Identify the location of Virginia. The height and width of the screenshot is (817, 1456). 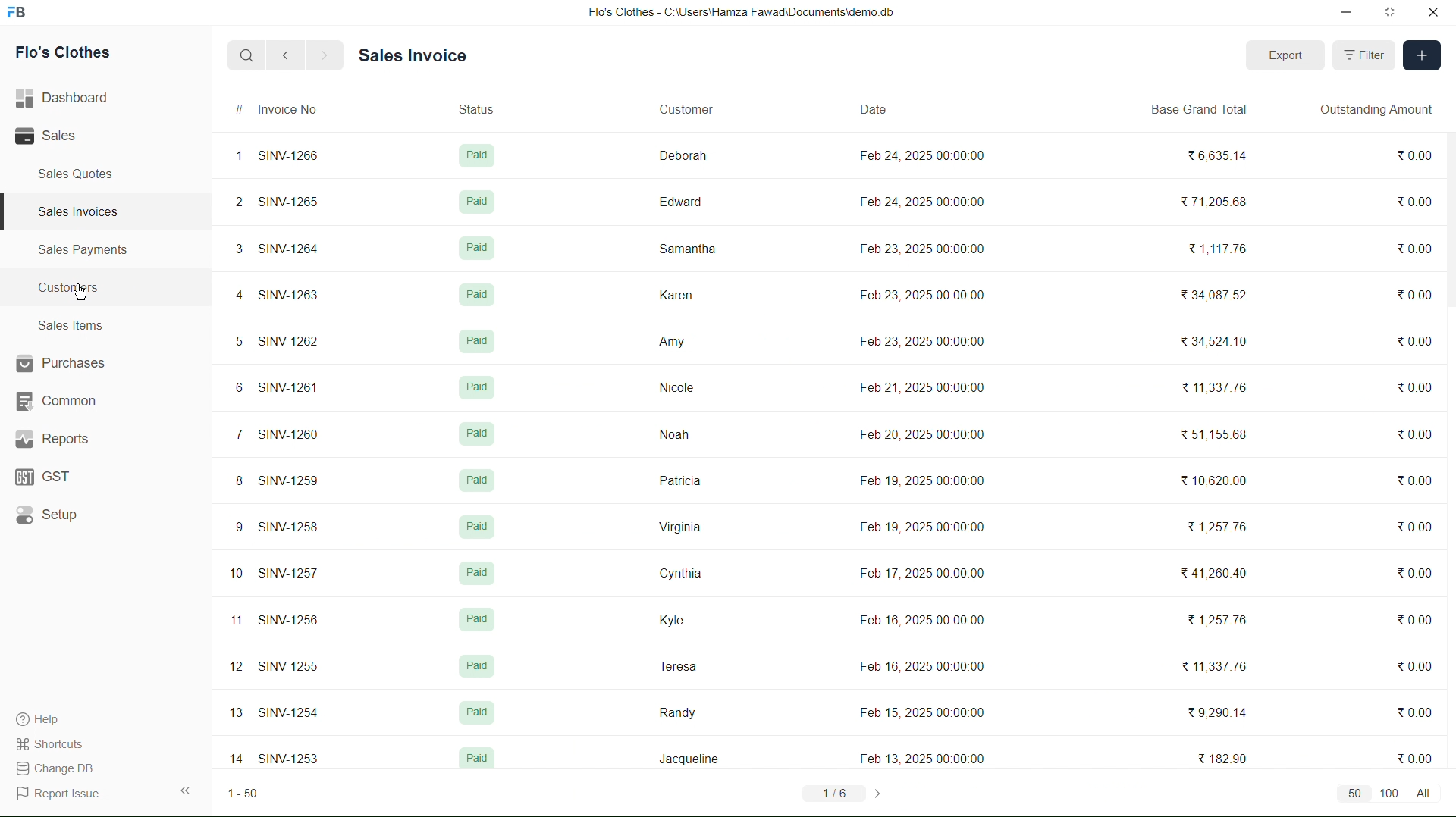
(681, 529).